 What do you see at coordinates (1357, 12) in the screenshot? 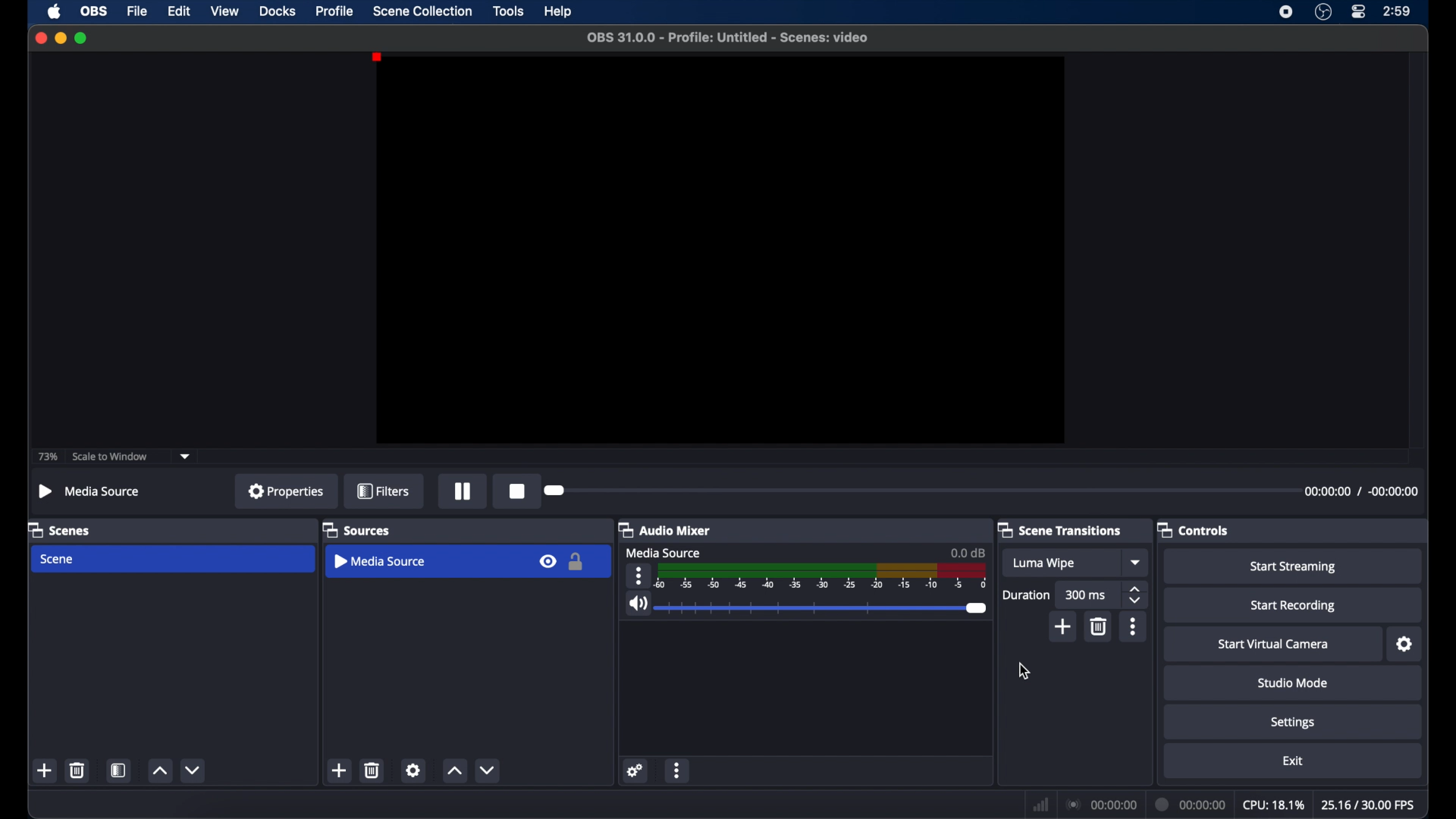
I see `control center` at bounding box center [1357, 12].